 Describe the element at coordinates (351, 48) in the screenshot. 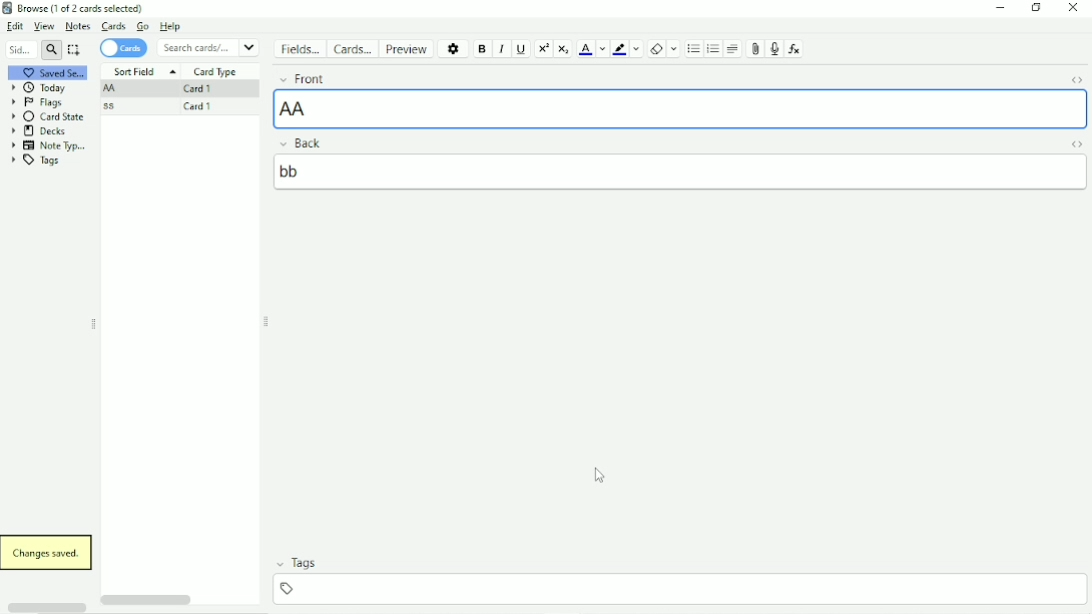

I see `Cards` at that location.